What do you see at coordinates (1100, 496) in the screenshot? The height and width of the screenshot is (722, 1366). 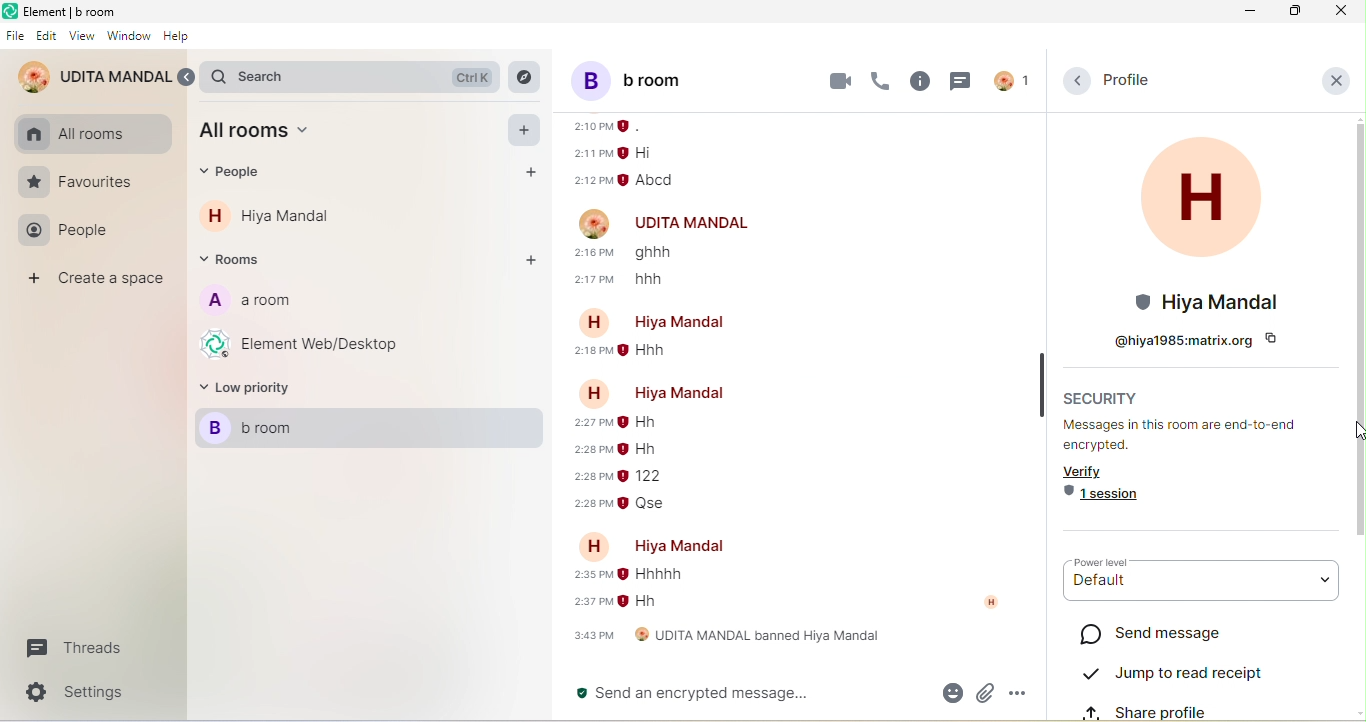 I see `1 session` at bounding box center [1100, 496].